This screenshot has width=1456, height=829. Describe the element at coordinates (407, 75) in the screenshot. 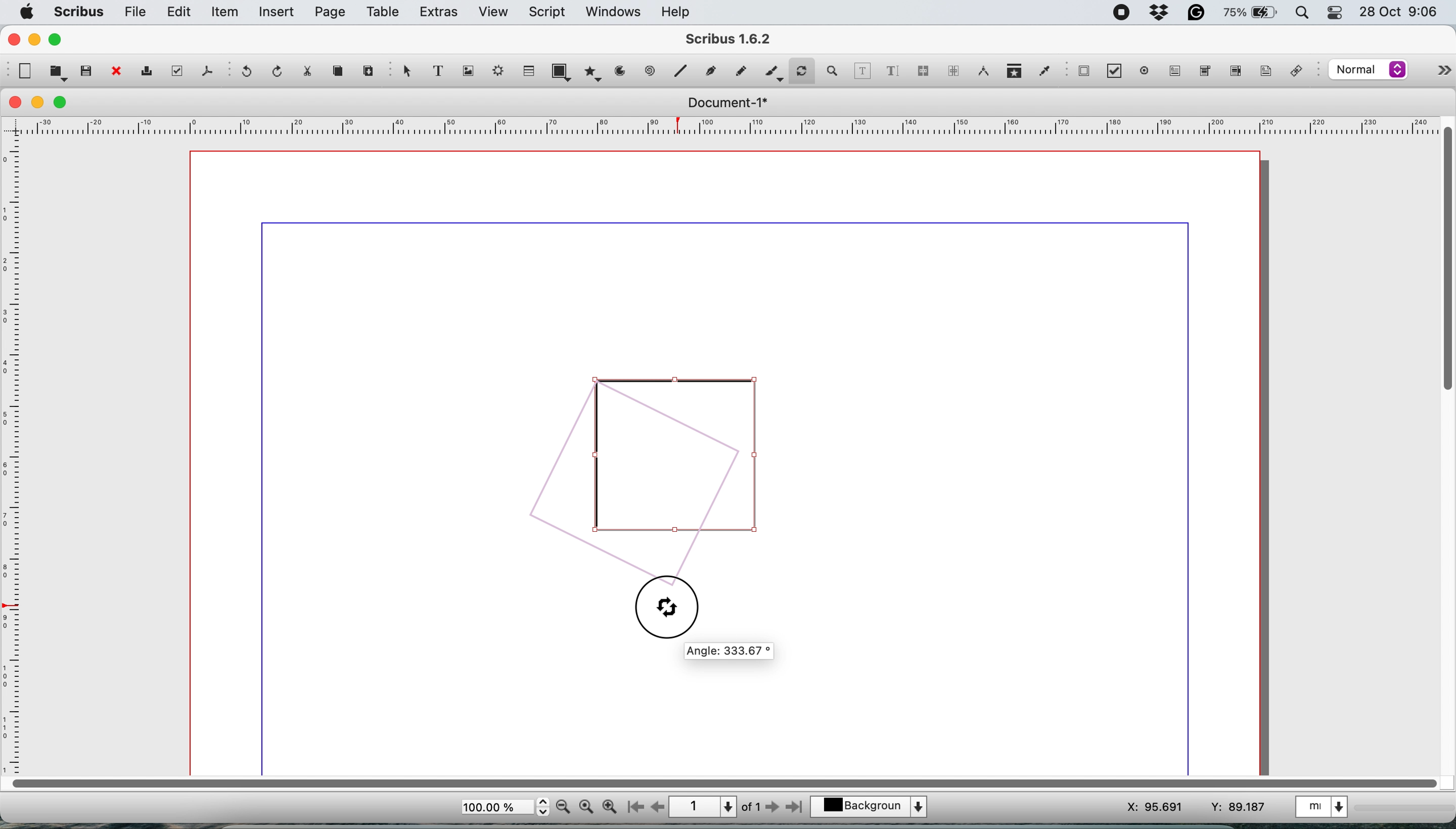

I see `select item` at that location.